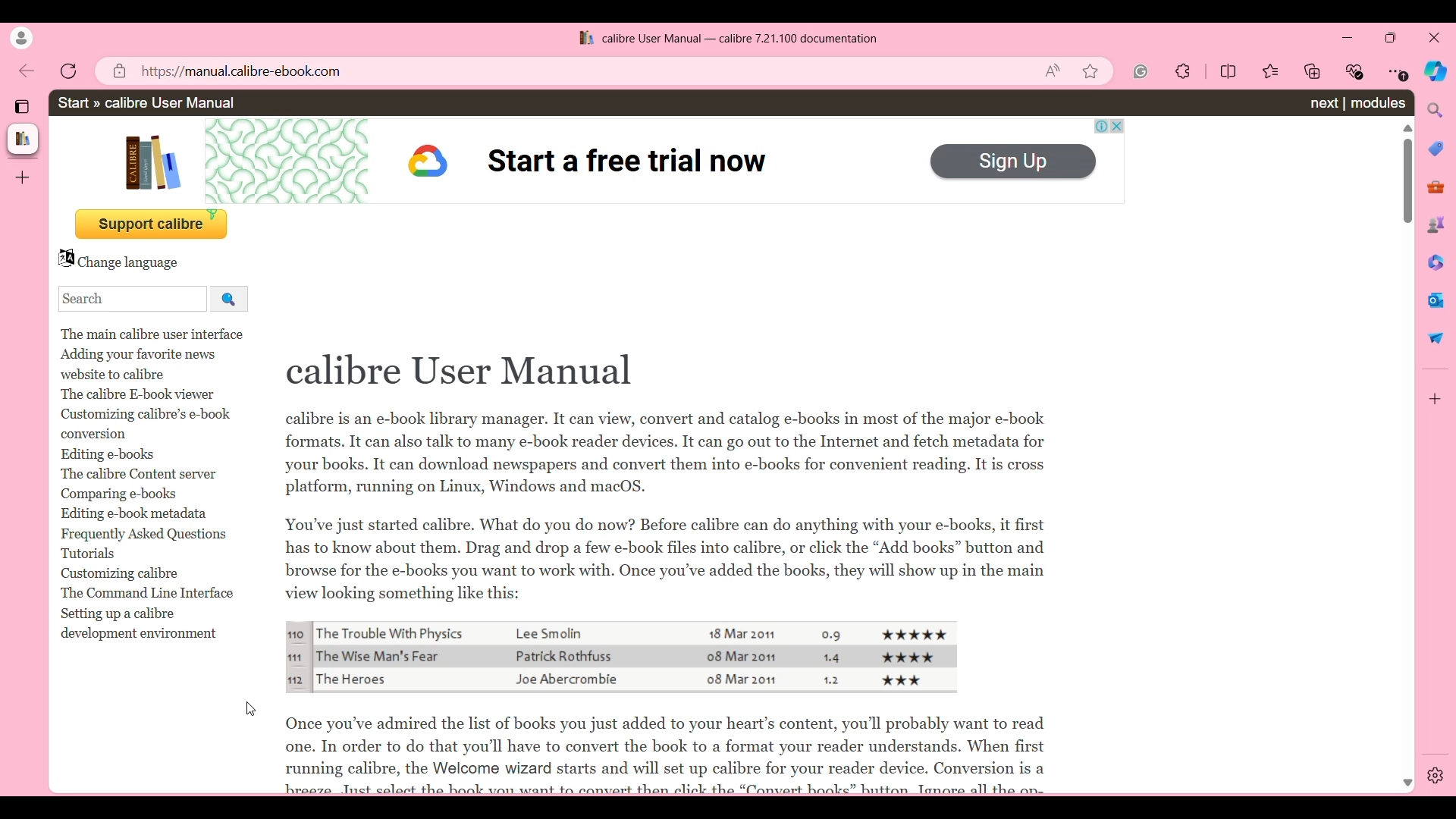 Image resolution: width=1456 pixels, height=819 pixels. What do you see at coordinates (1435, 337) in the screenshot?
I see `Share` at bounding box center [1435, 337].